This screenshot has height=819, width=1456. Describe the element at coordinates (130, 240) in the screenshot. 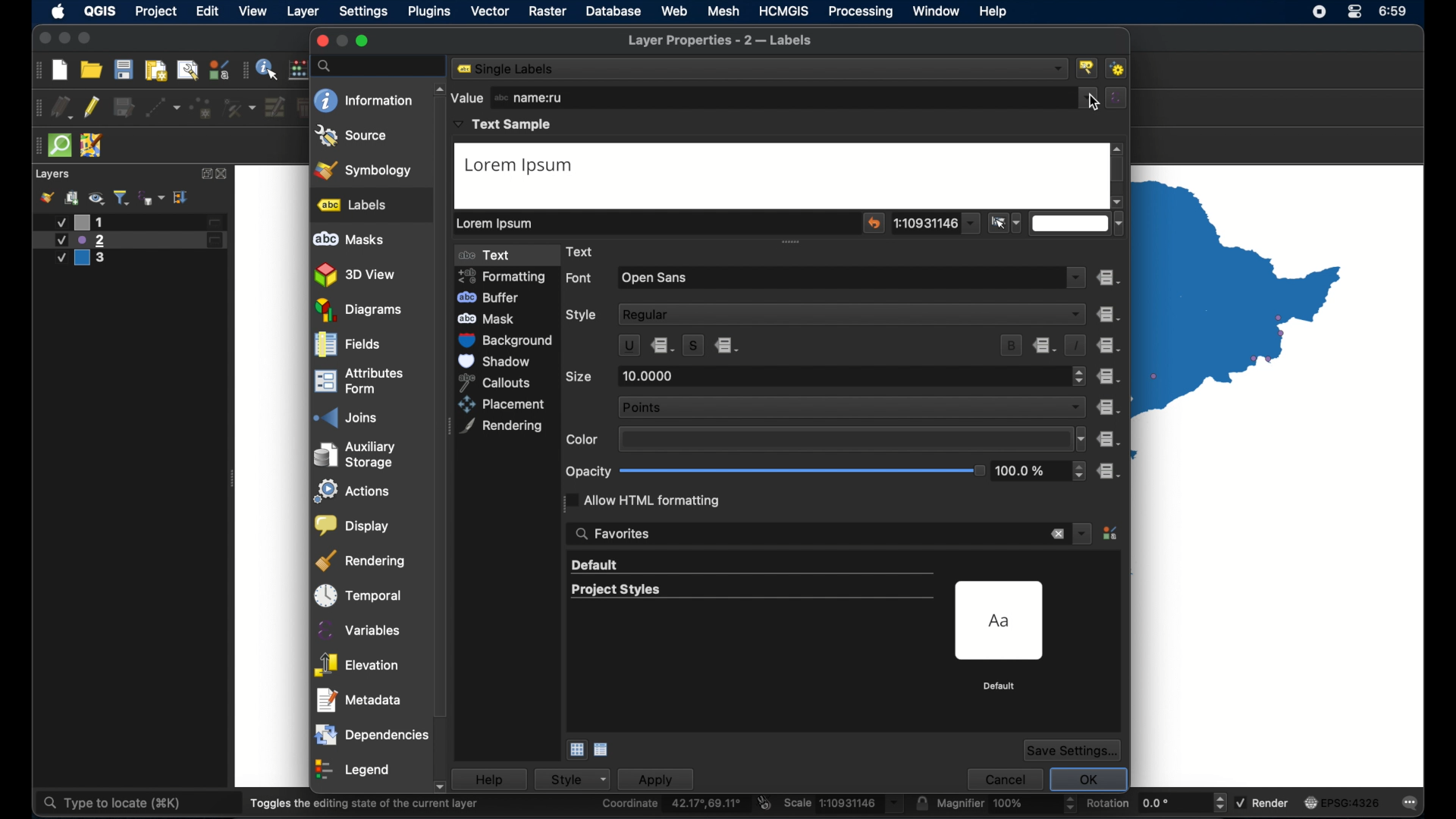

I see `layer 2` at that location.